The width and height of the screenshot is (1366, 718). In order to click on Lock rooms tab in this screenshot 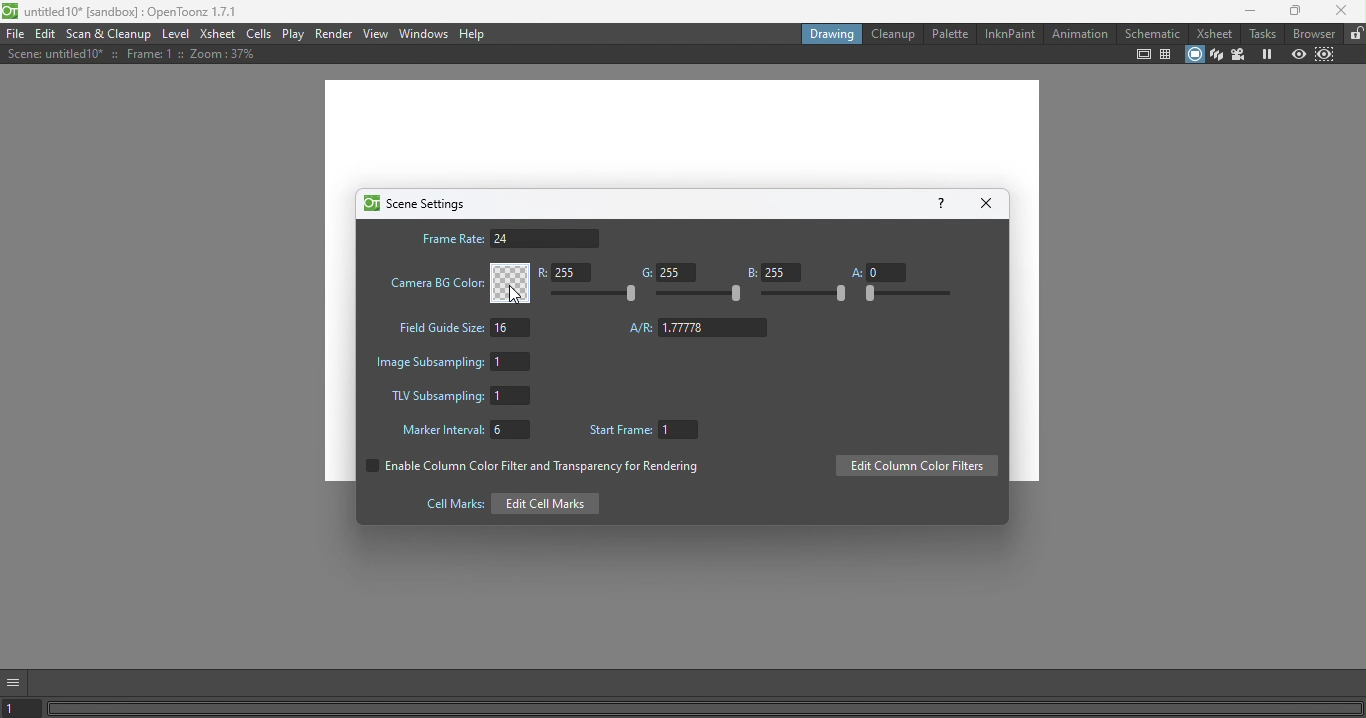, I will do `click(1354, 34)`.